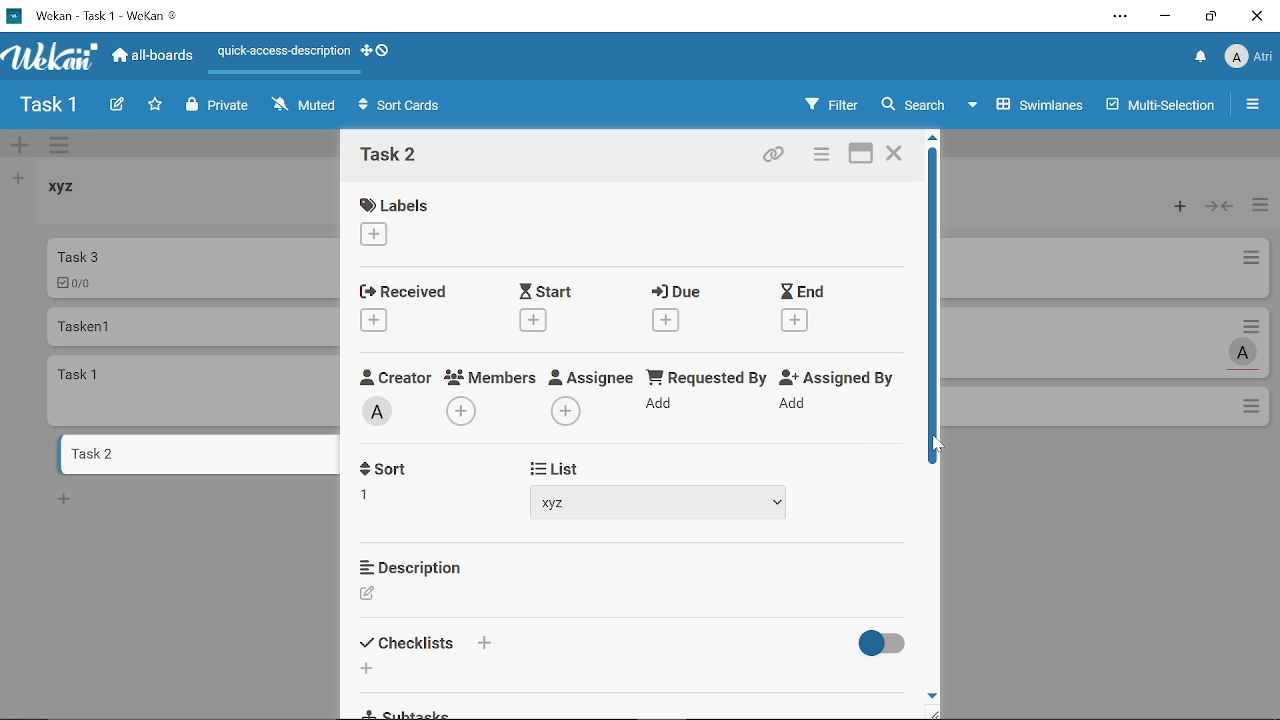  Describe the element at coordinates (364, 496) in the screenshot. I see `1` at that location.